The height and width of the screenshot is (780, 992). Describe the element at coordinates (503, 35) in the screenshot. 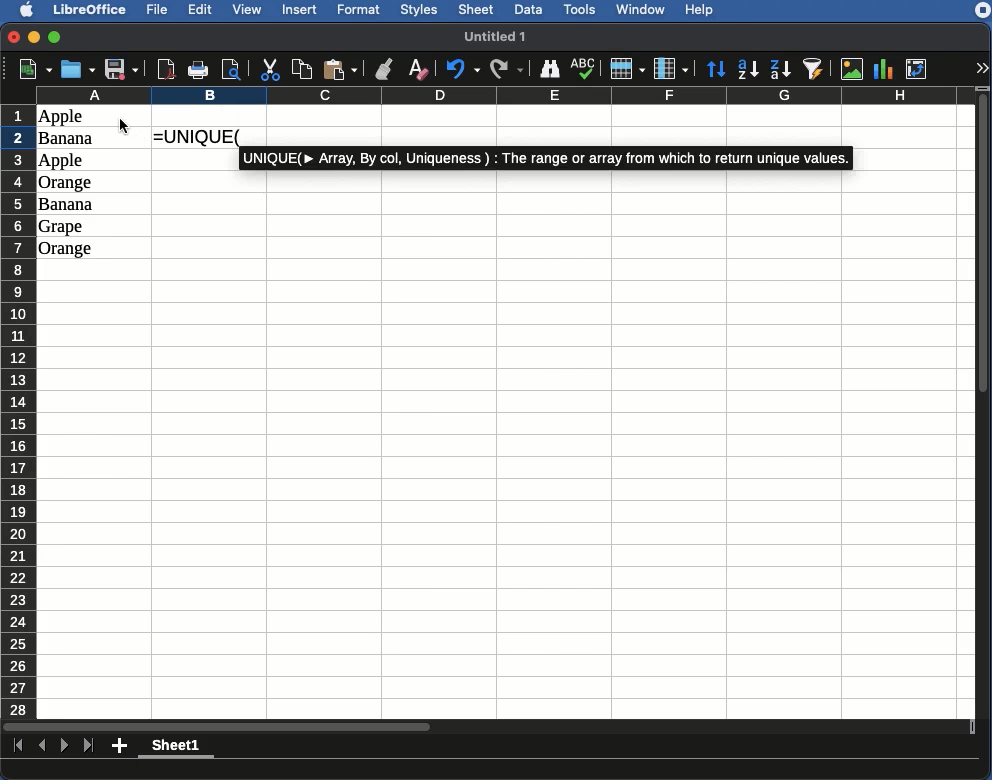

I see `untitled 1` at that location.